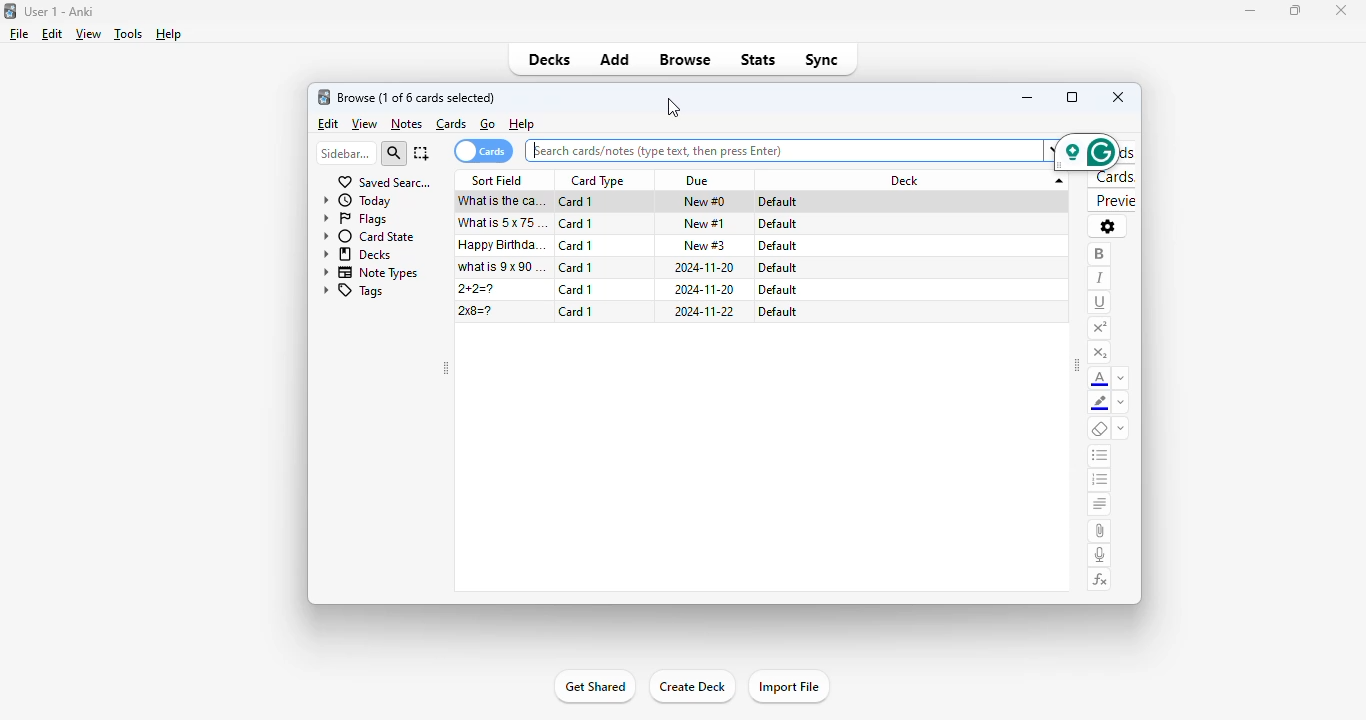 Image resolution: width=1366 pixels, height=720 pixels. What do you see at coordinates (674, 109) in the screenshot?
I see `cursor` at bounding box center [674, 109].